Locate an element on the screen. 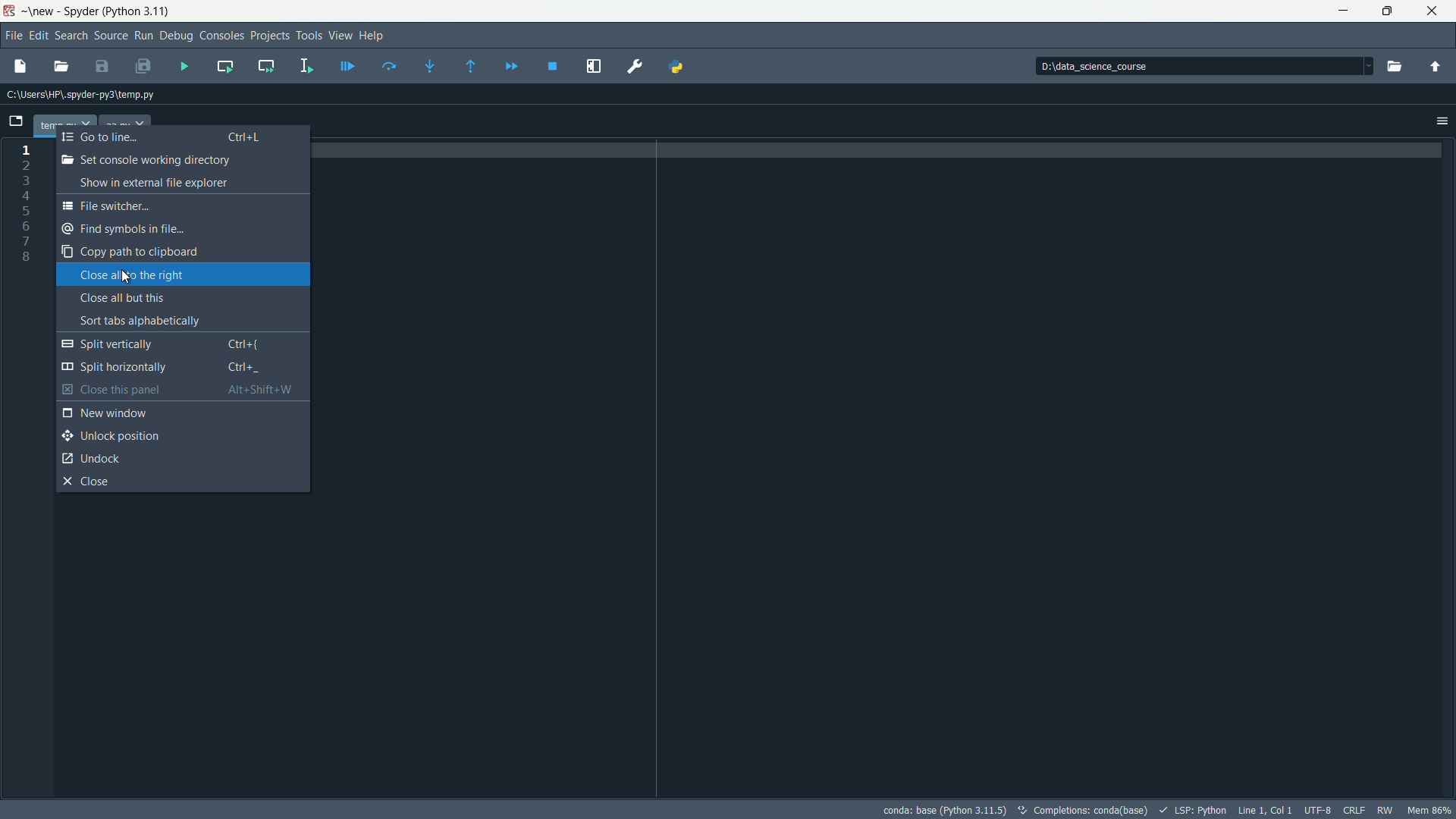 This screenshot has width=1456, height=819. run file is located at coordinates (186, 67).